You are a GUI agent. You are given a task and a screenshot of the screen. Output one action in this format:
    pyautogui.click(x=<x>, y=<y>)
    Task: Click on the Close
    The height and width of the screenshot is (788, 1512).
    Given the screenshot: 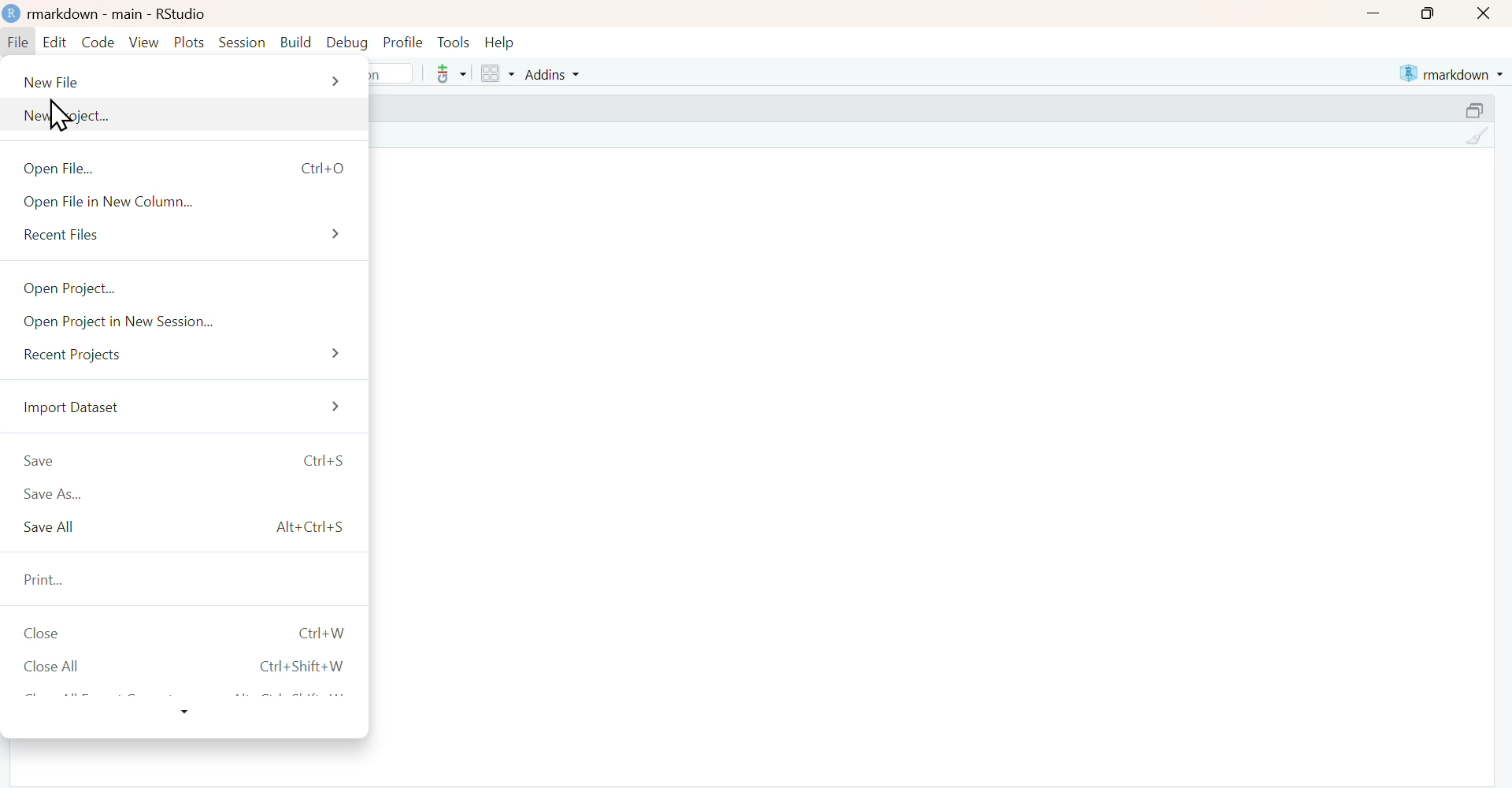 What is the action you would take?
    pyautogui.click(x=1485, y=13)
    